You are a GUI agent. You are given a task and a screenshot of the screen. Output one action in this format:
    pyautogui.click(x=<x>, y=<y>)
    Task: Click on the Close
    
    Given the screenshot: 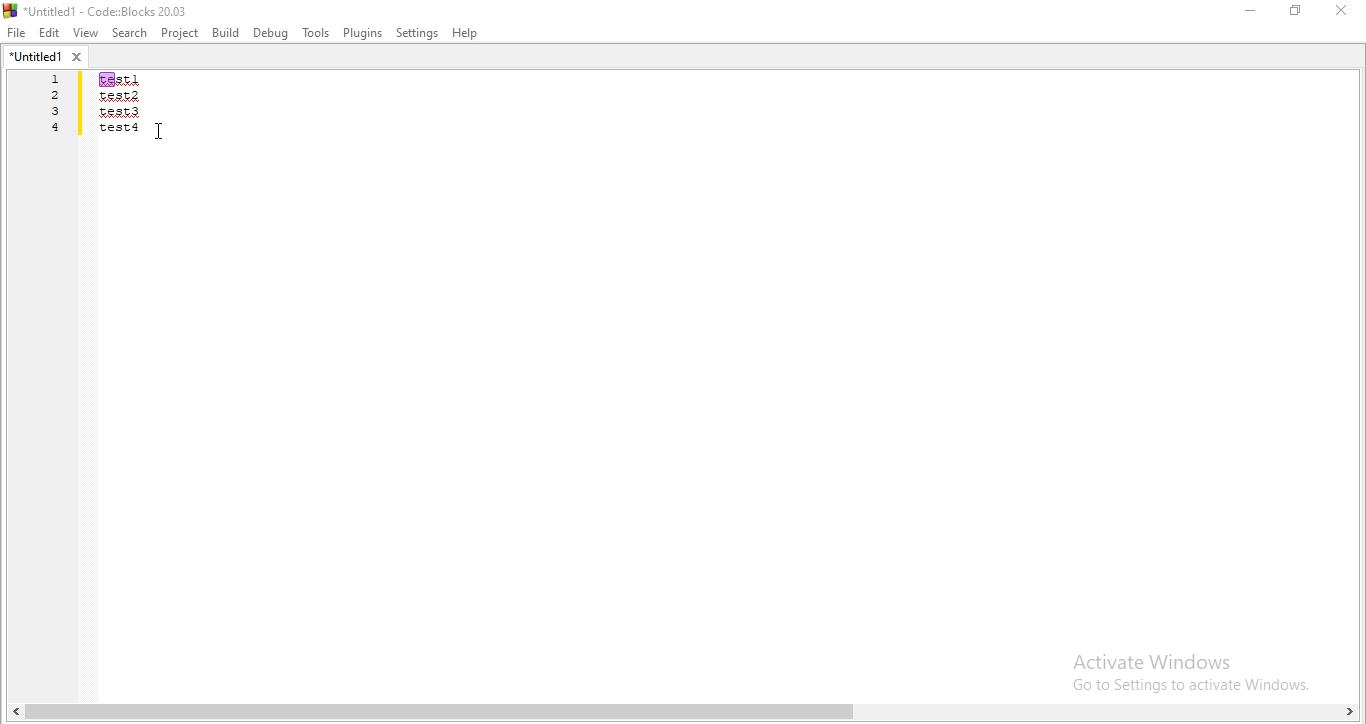 What is the action you would take?
    pyautogui.click(x=1342, y=10)
    